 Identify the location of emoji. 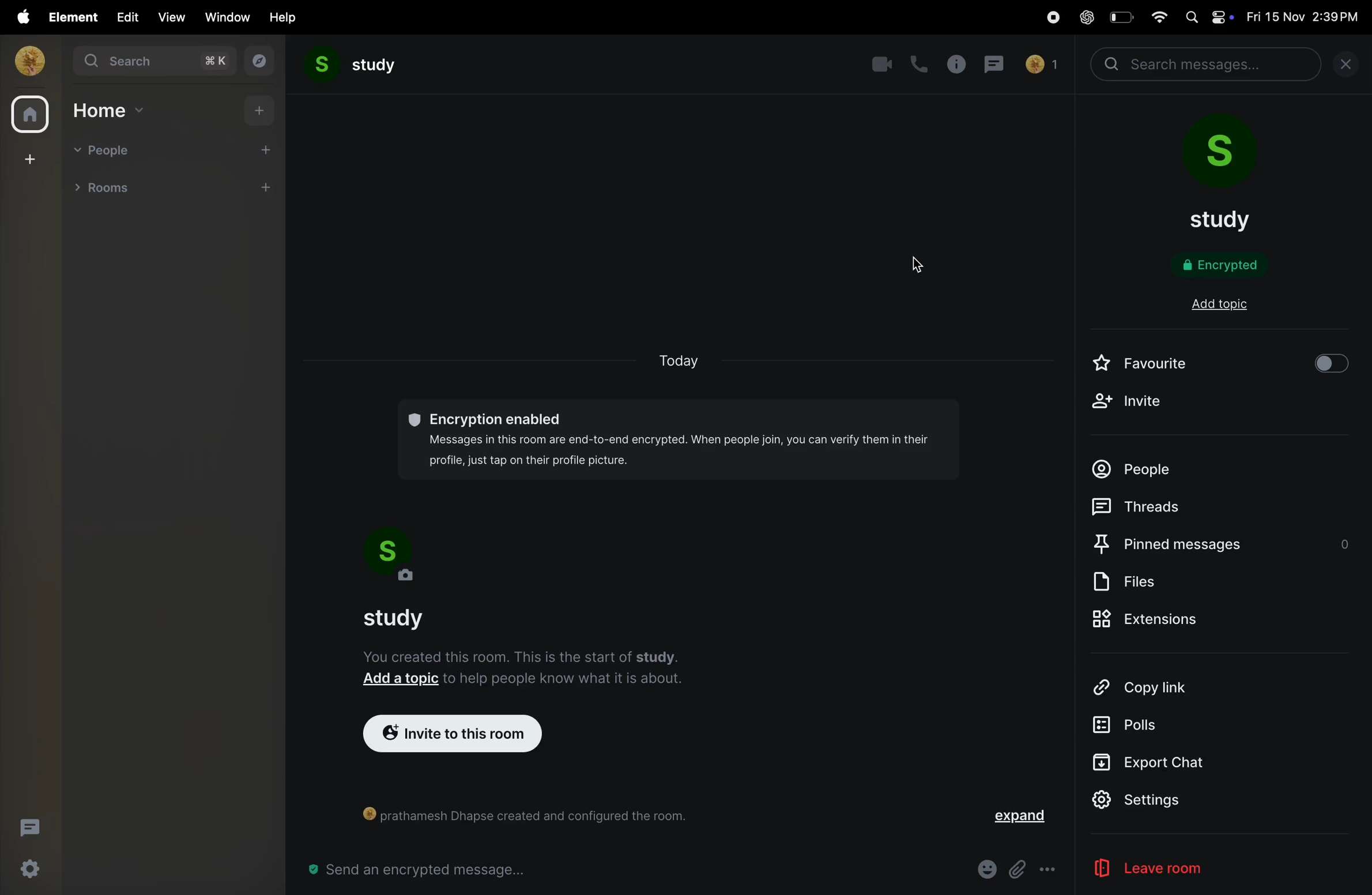
(985, 868).